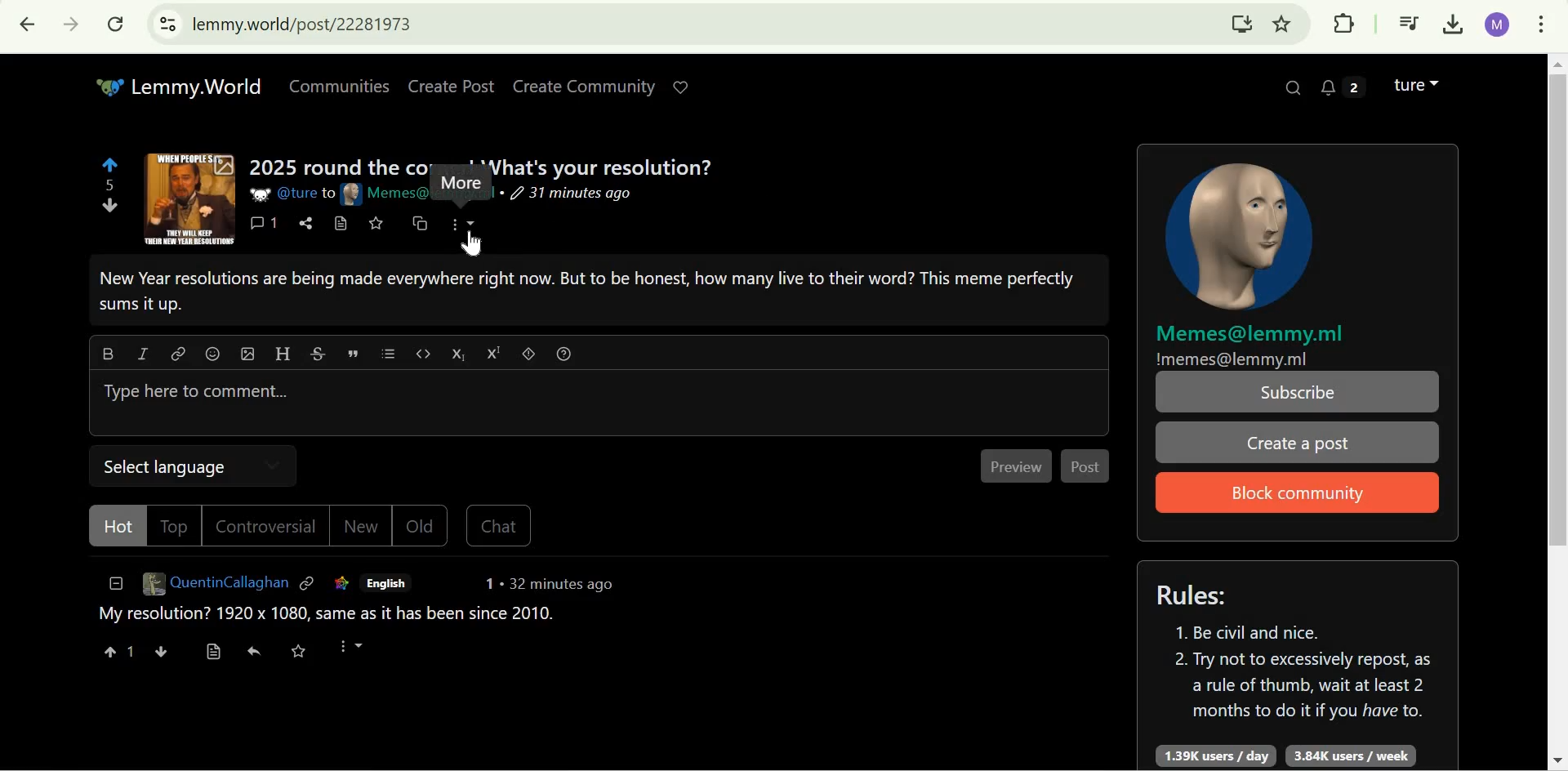 Image resolution: width=1568 pixels, height=771 pixels. What do you see at coordinates (550, 583) in the screenshot?
I see `1 . 32 minutes ago` at bounding box center [550, 583].